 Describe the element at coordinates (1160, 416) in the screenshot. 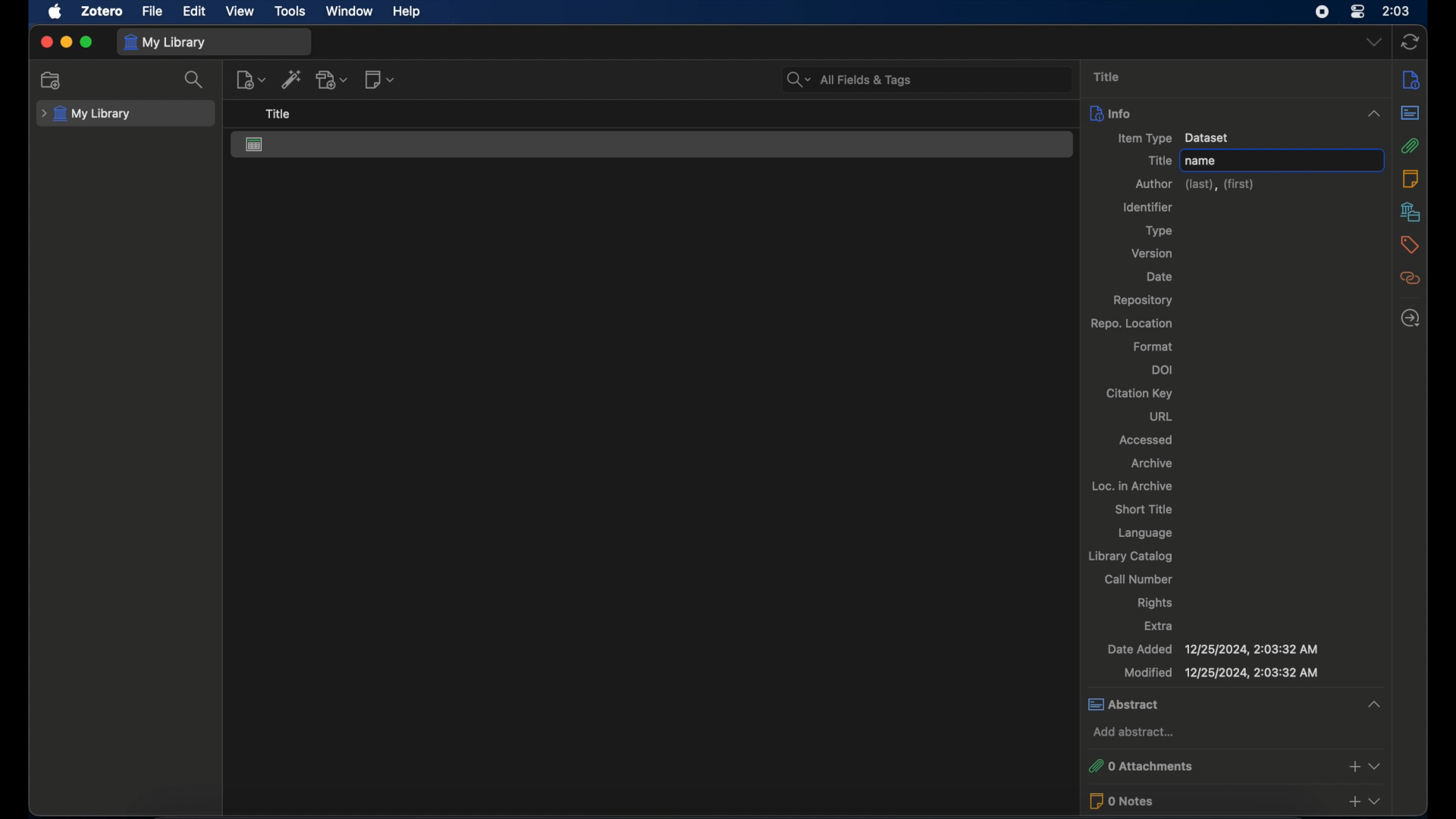

I see `url` at that location.